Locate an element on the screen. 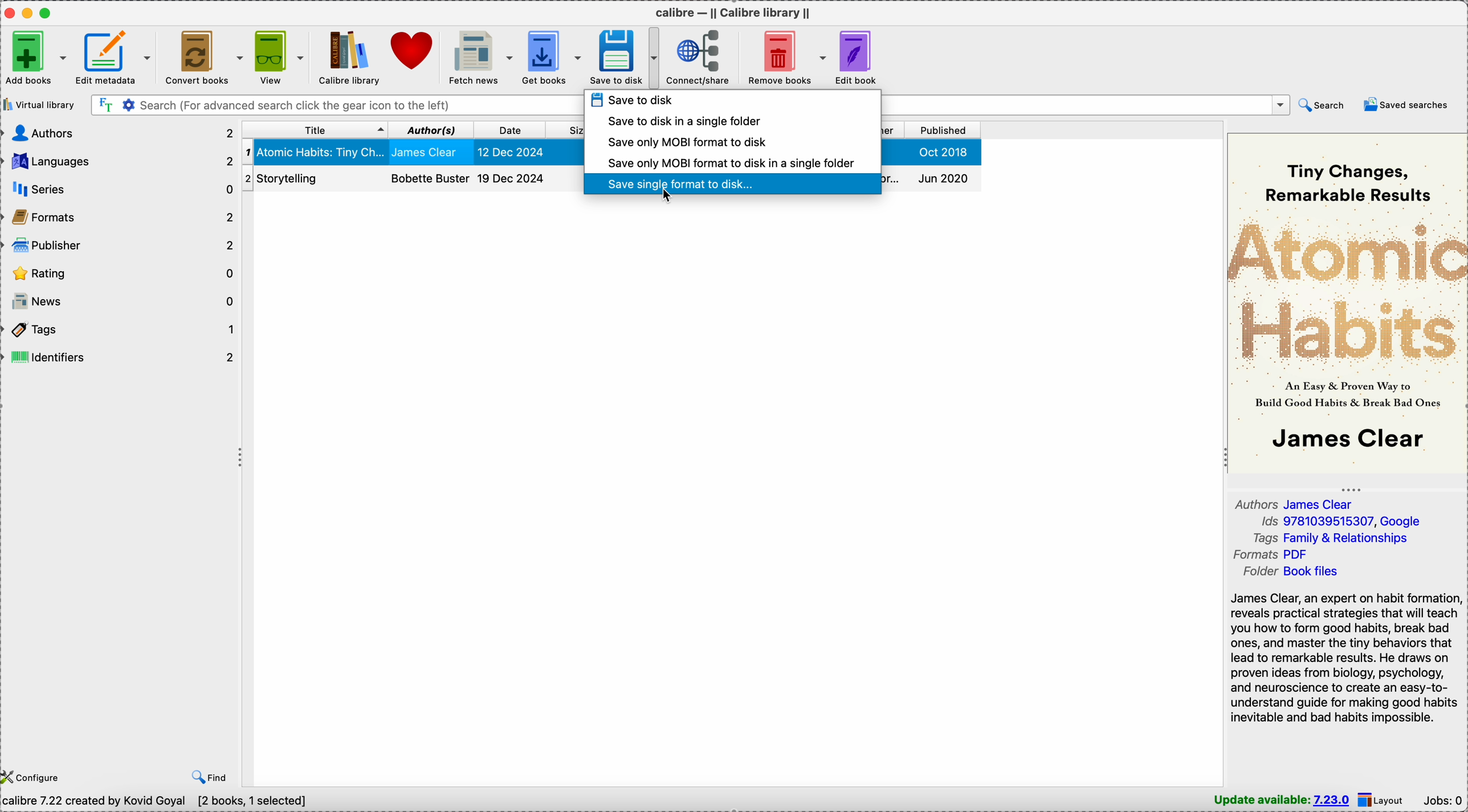 This screenshot has height=812, width=1468. add books is located at coordinates (36, 57).